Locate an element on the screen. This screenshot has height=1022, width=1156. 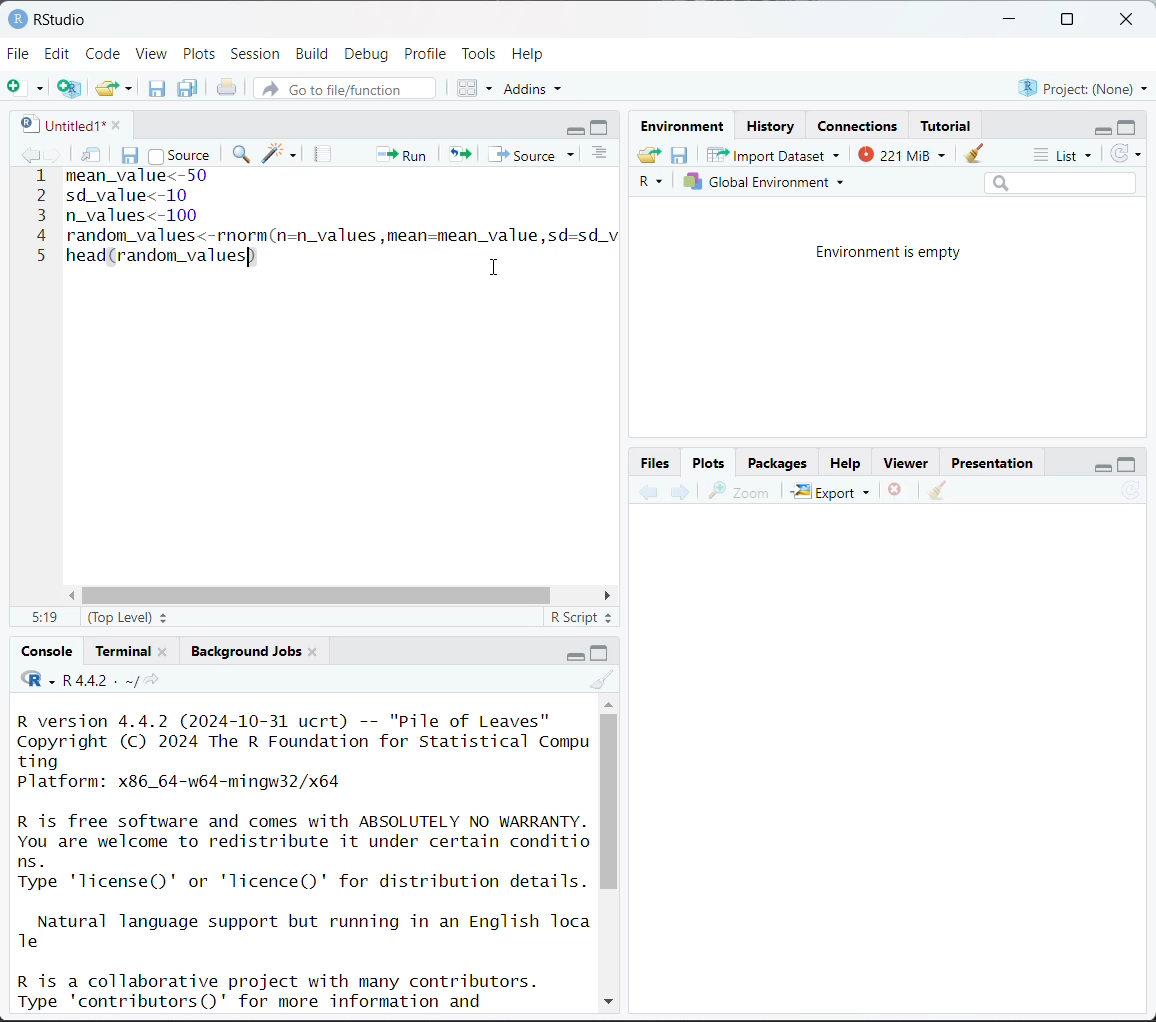
minimize is located at coordinates (1011, 20).